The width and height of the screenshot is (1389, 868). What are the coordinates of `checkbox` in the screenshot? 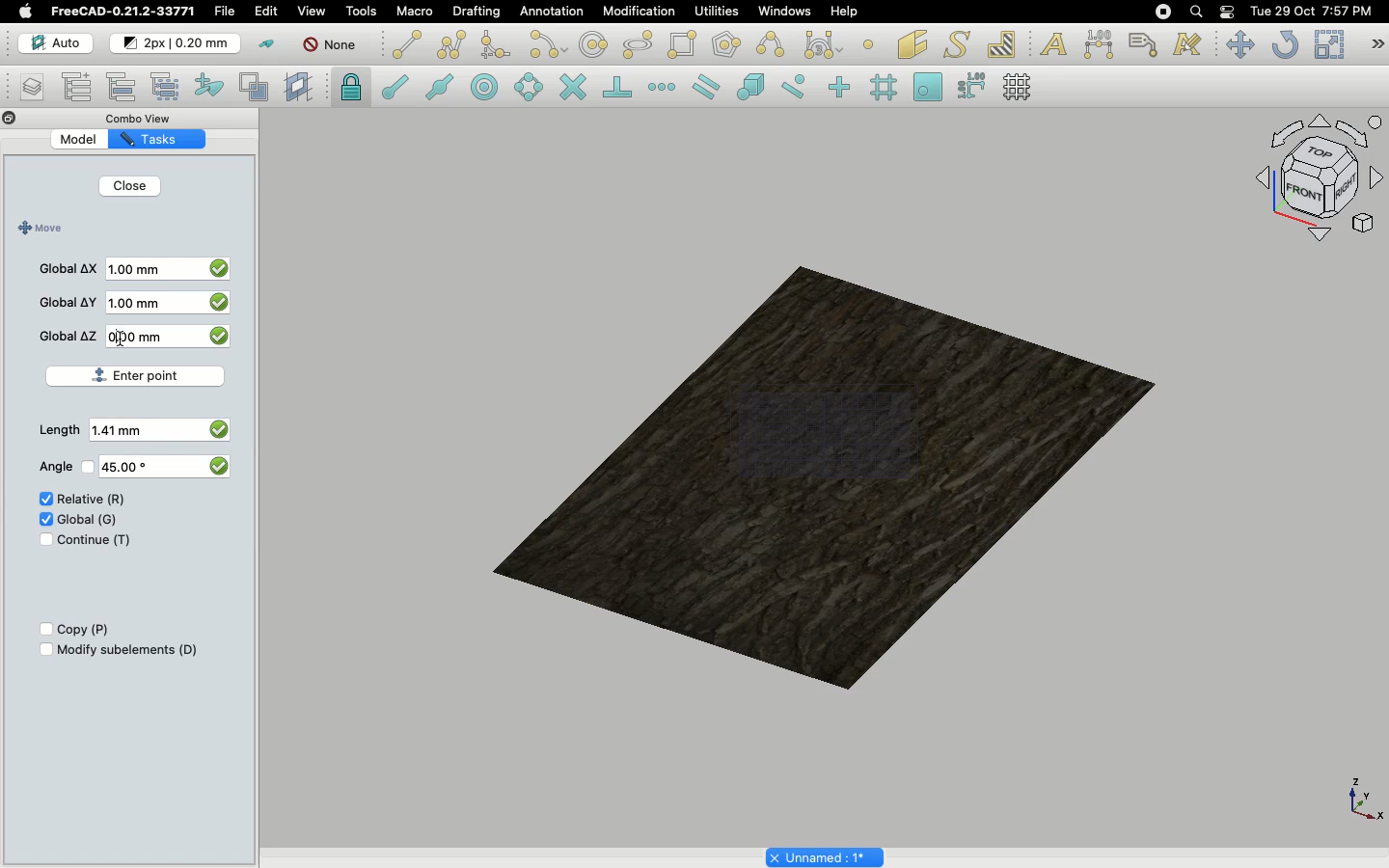 It's located at (218, 305).